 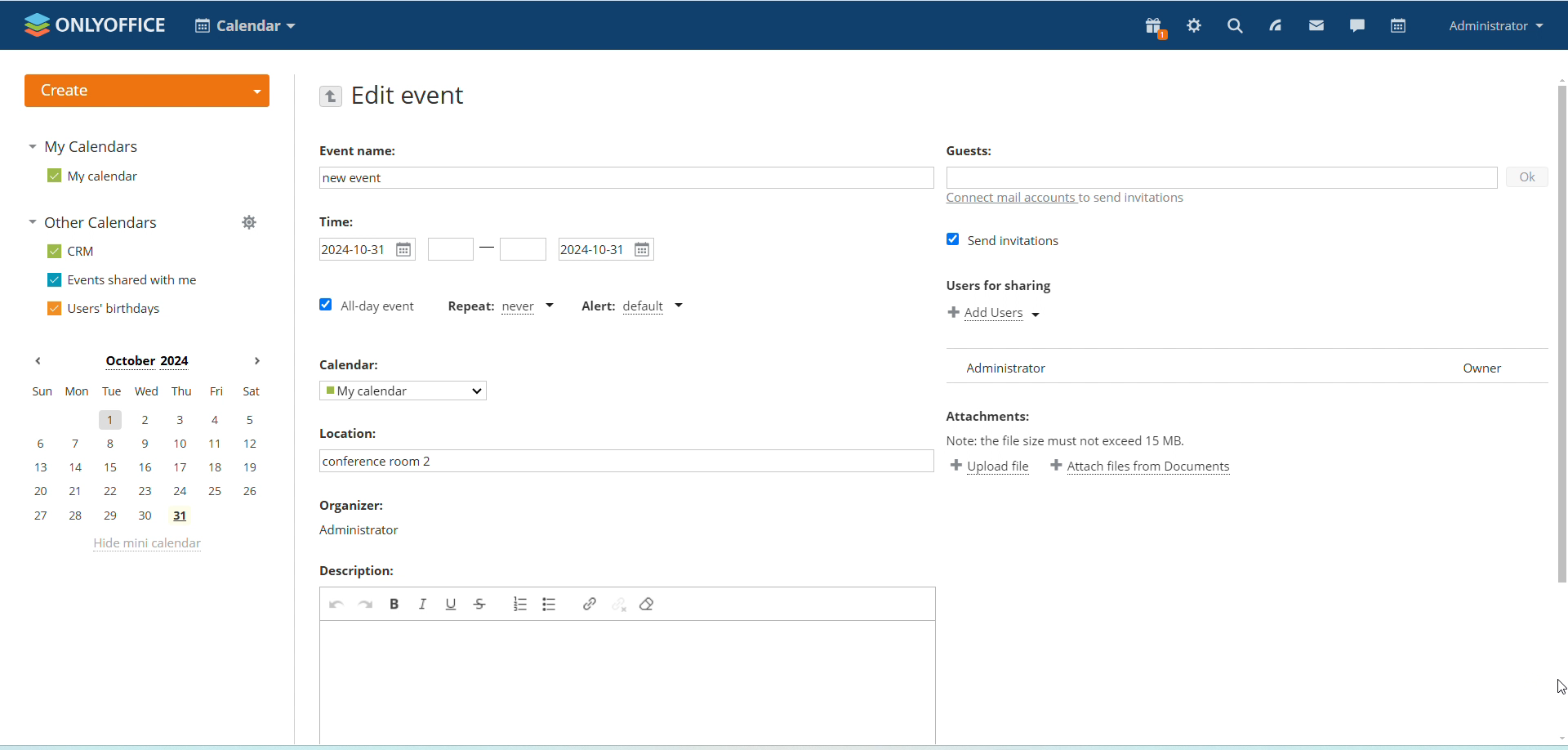 What do you see at coordinates (626, 681) in the screenshot?
I see `edit event description` at bounding box center [626, 681].